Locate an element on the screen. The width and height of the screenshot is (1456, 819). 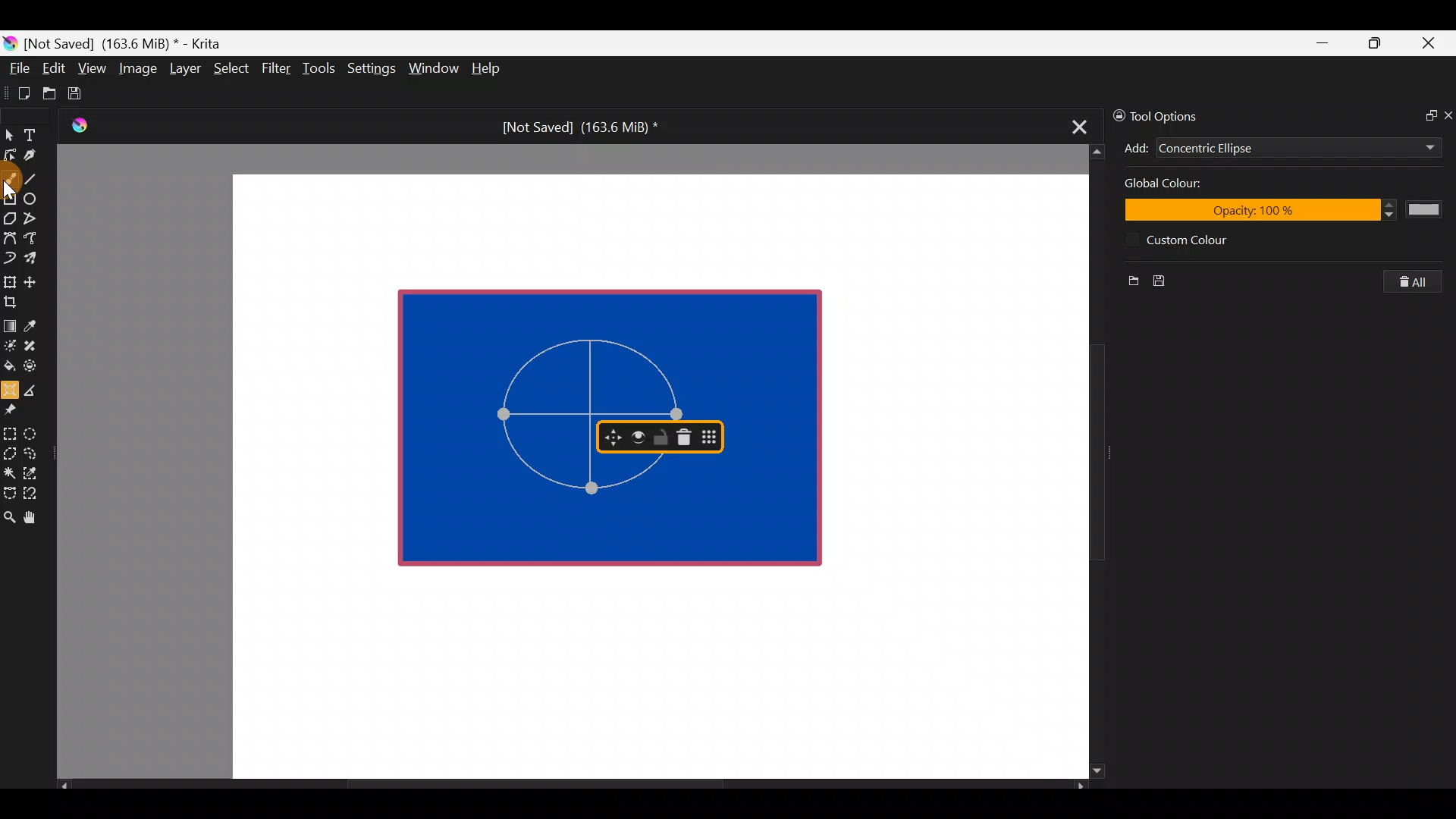
Krita Logo is located at coordinates (77, 125).